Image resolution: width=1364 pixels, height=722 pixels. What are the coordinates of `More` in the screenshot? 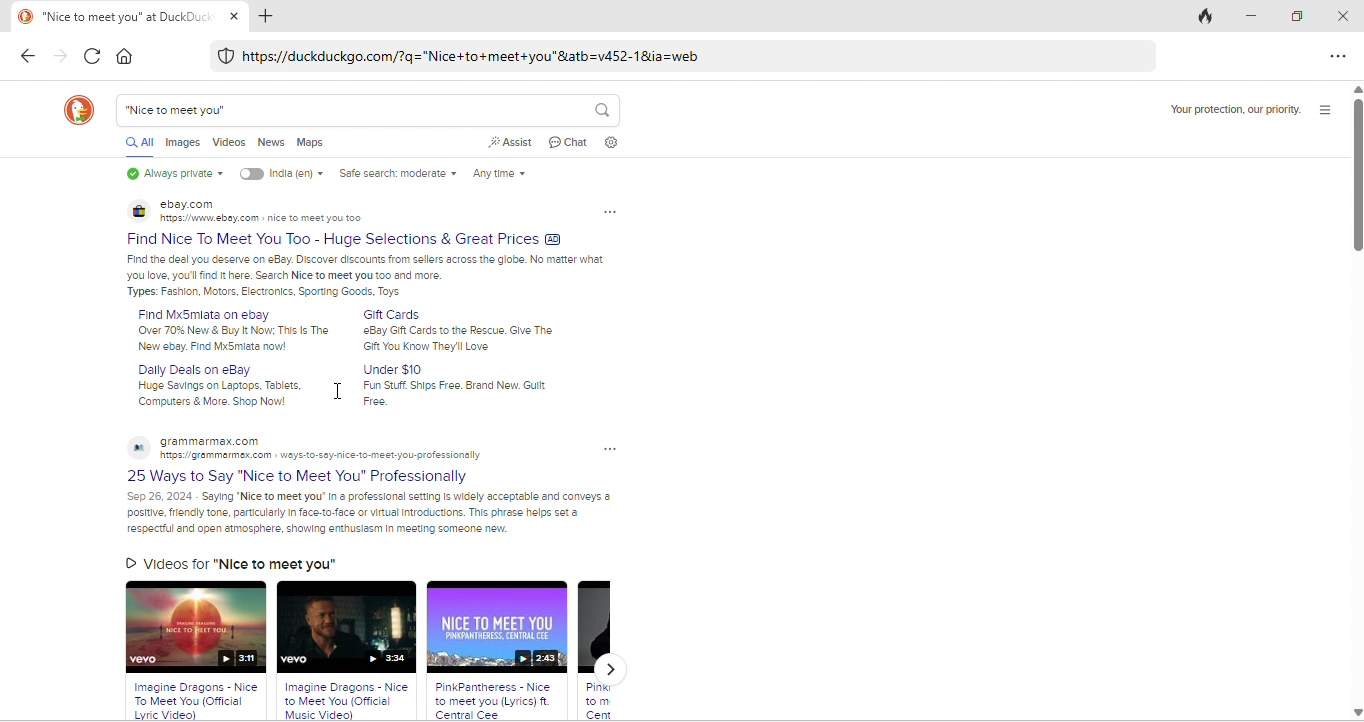 It's located at (611, 448).